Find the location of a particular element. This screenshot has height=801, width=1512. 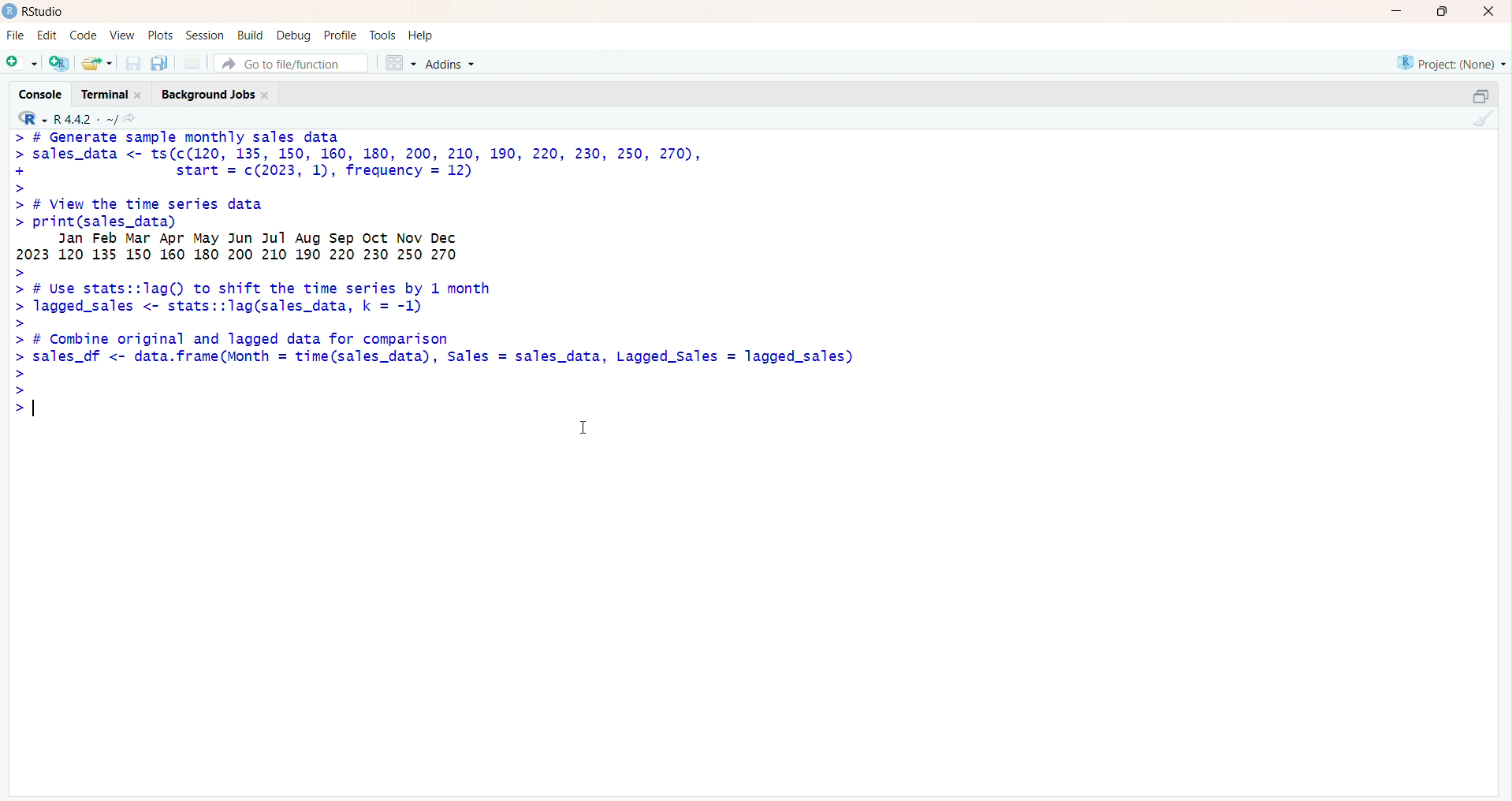

view the current working directory is located at coordinates (131, 120).